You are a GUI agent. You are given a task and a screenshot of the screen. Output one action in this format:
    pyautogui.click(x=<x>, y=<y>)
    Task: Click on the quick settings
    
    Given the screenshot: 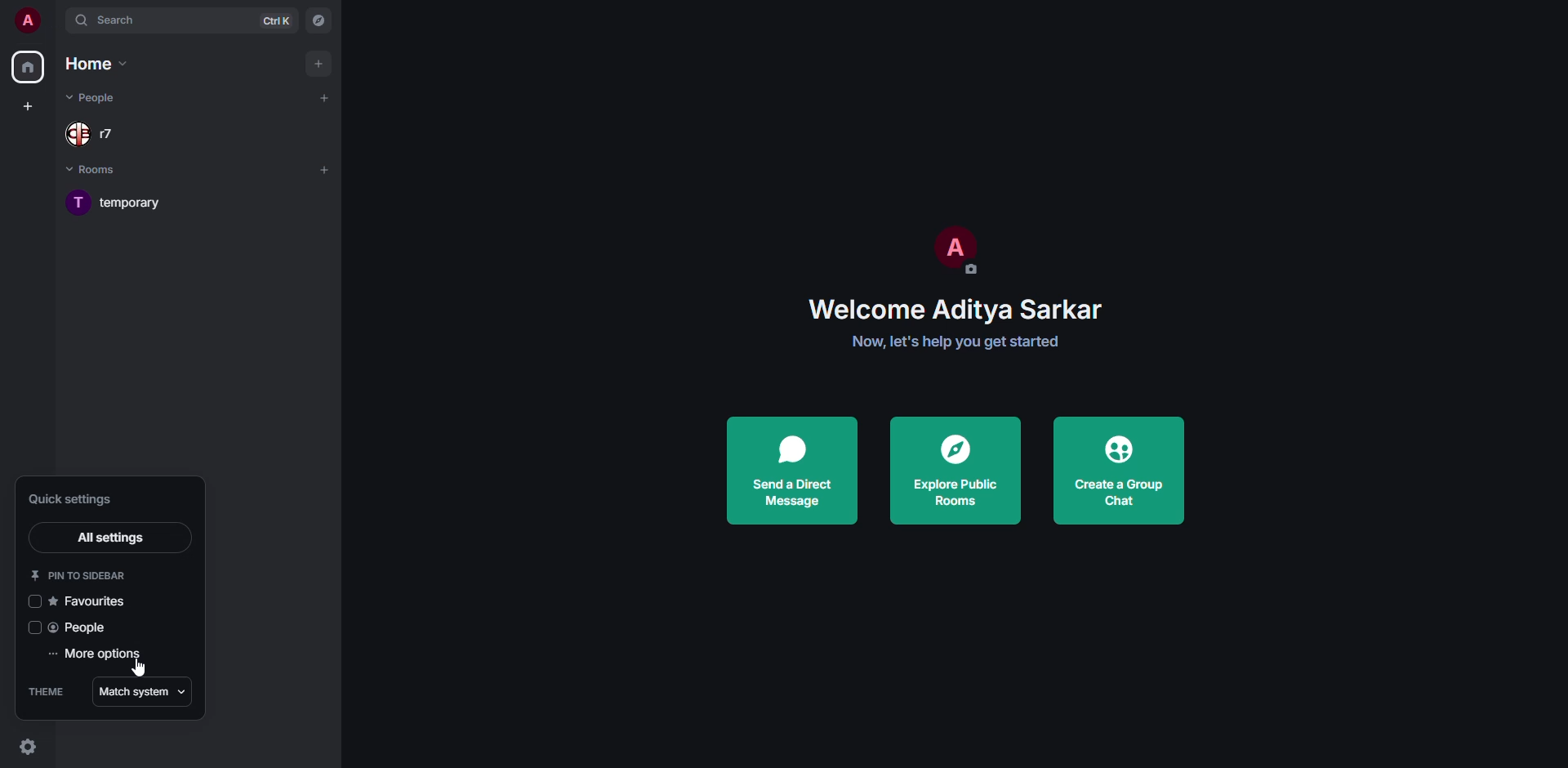 What is the action you would take?
    pyautogui.click(x=74, y=498)
    